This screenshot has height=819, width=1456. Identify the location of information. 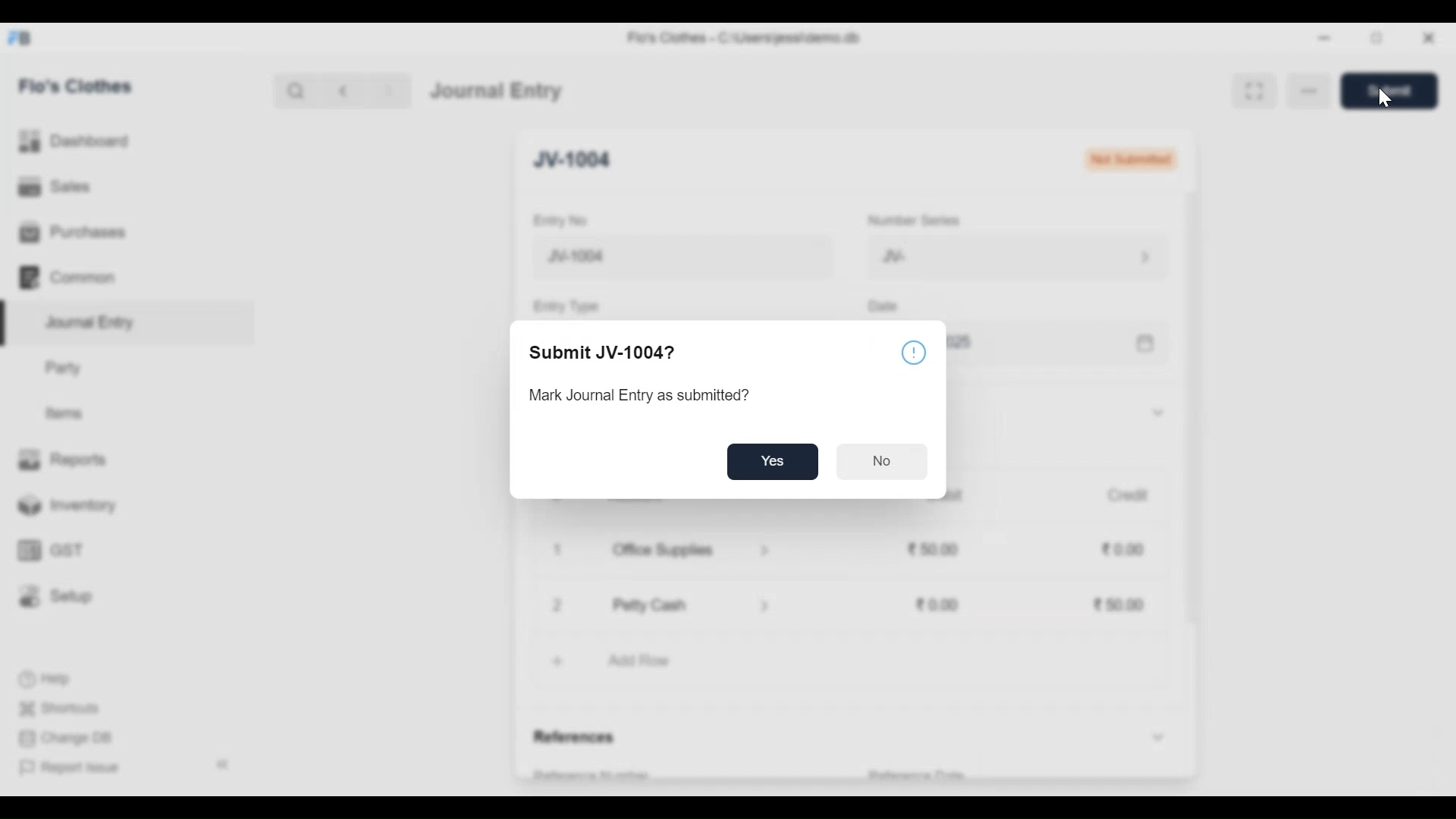
(913, 350).